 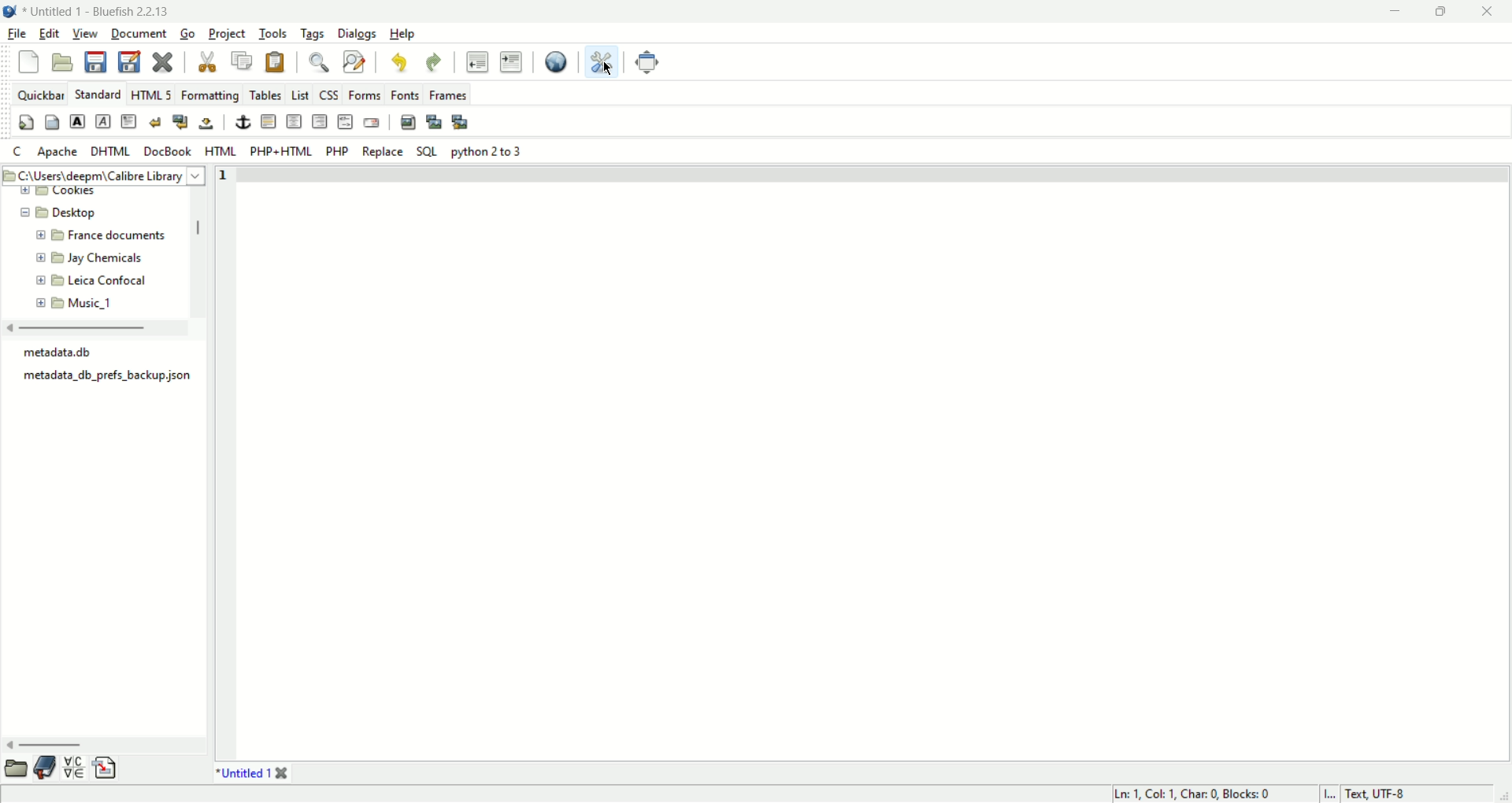 What do you see at coordinates (601, 61) in the screenshot?
I see `preferences` at bounding box center [601, 61].